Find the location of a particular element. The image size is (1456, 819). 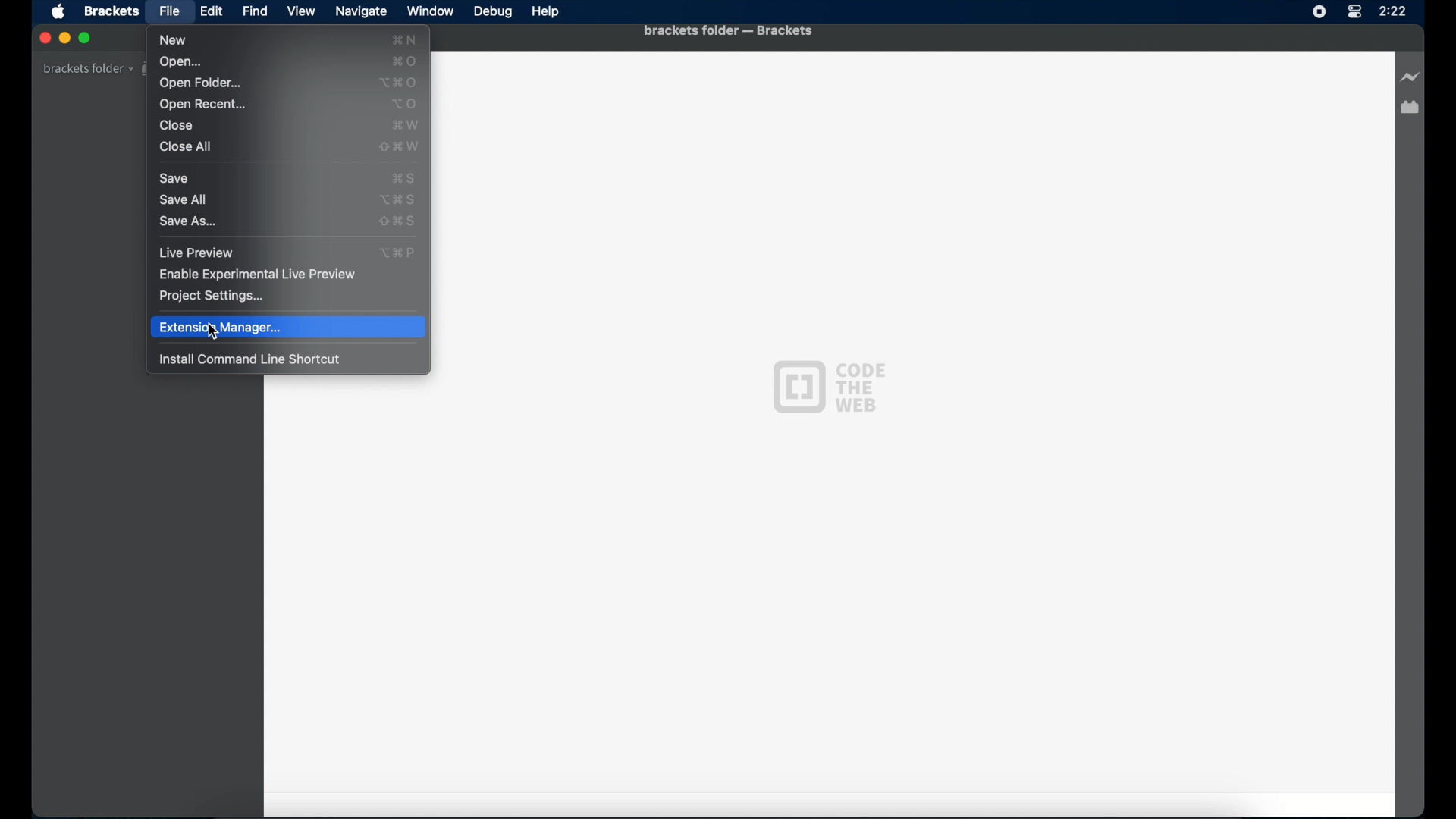

new shortcut is located at coordinates (404, 39).